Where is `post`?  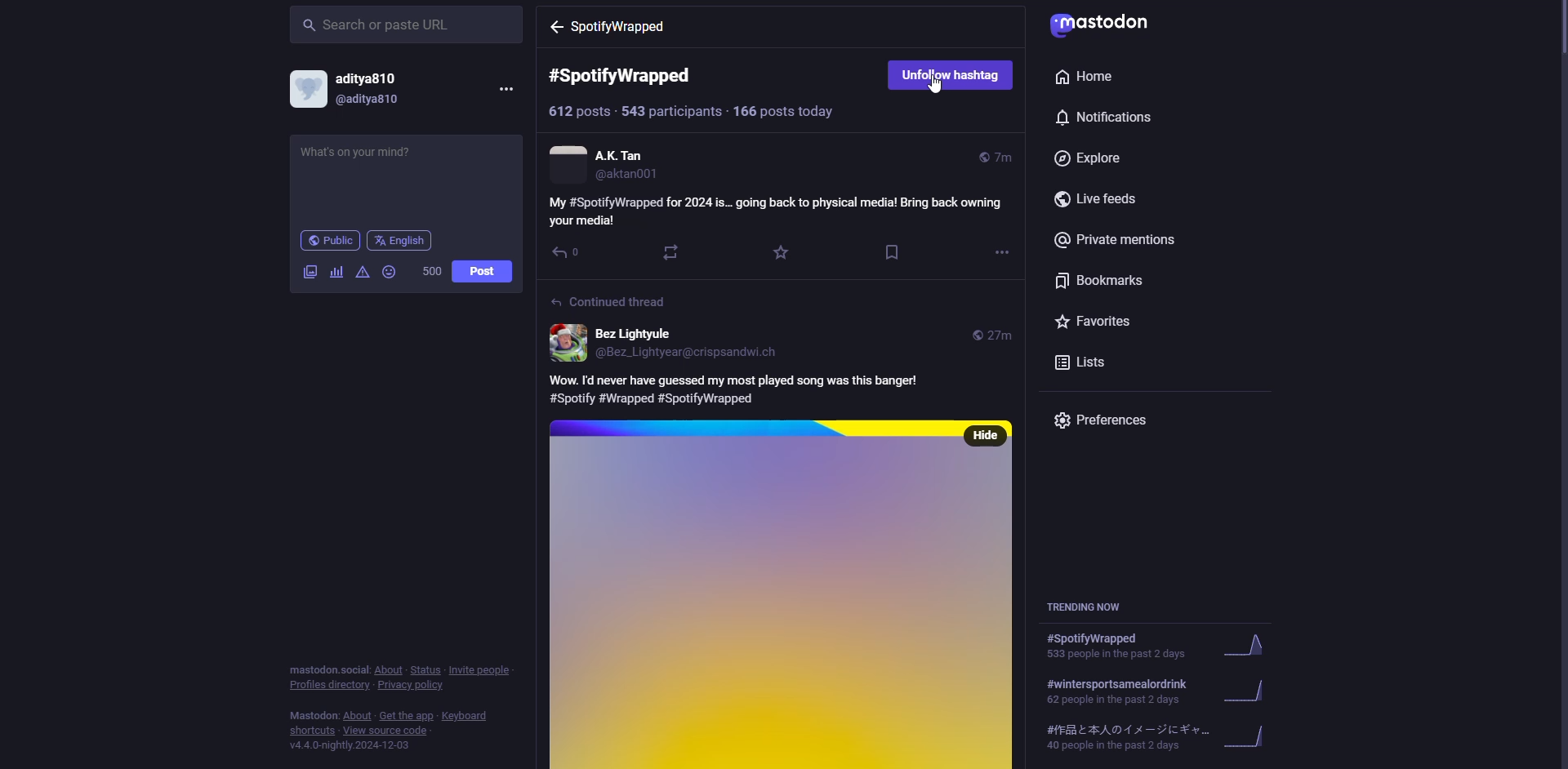 post is located at coordinates (781, 210).